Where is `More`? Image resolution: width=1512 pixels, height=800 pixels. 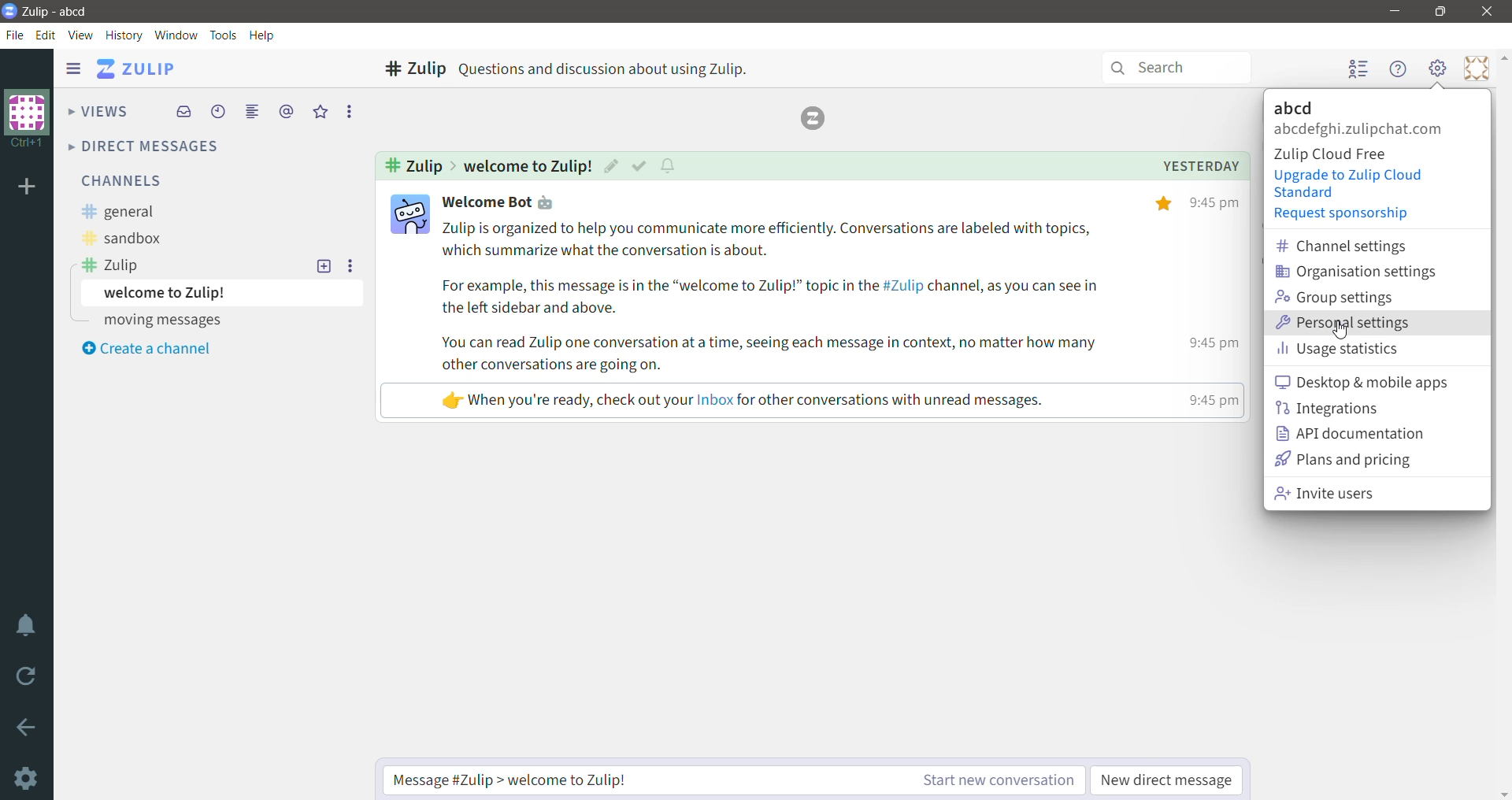 More is located at coordinates (348, 112).